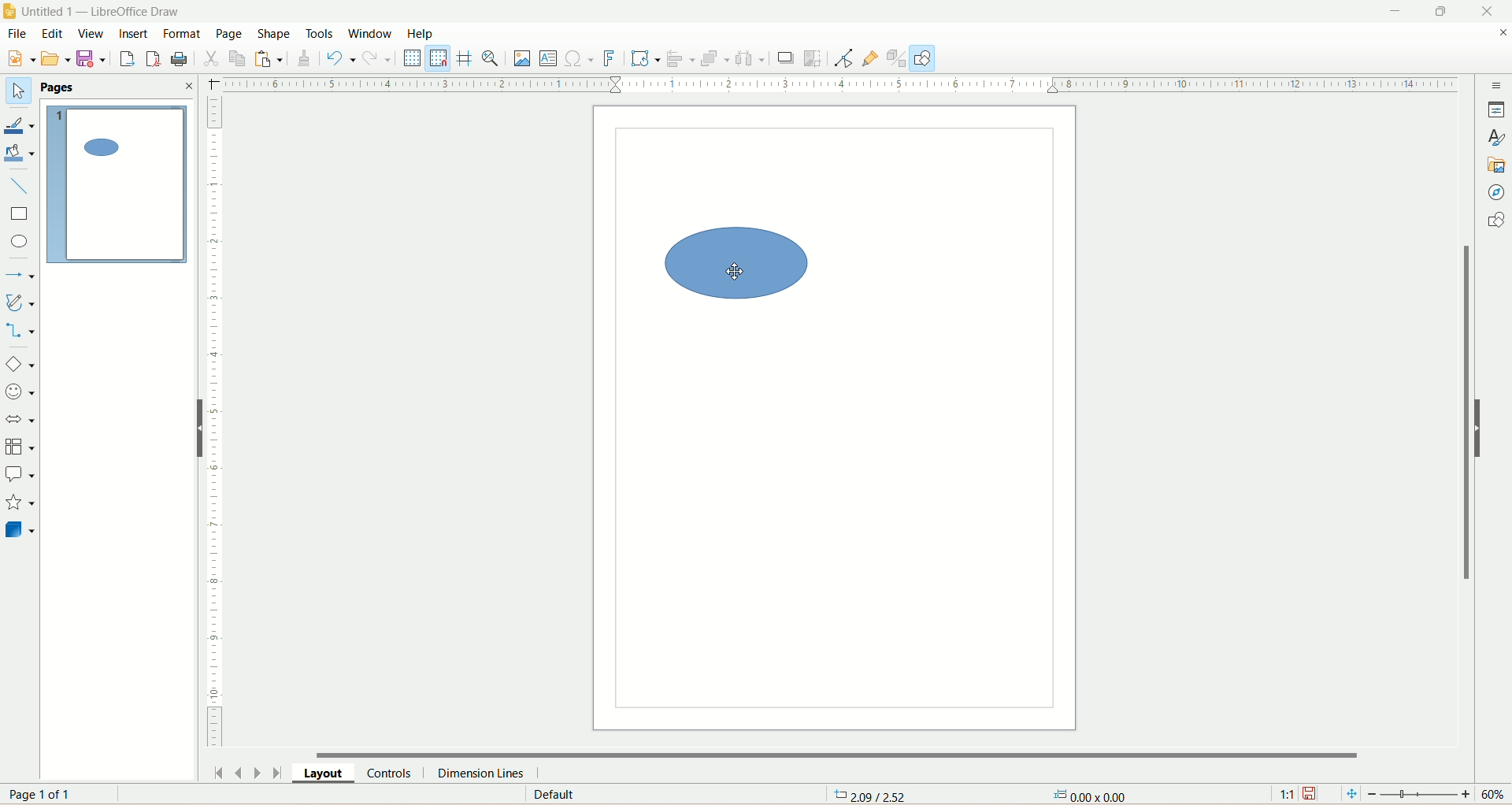 This screenshot has width=1512, height=805. What do you see at coordinates (276, 33) in the screenshot?
I see `shape` at bounding box center [276, 33].